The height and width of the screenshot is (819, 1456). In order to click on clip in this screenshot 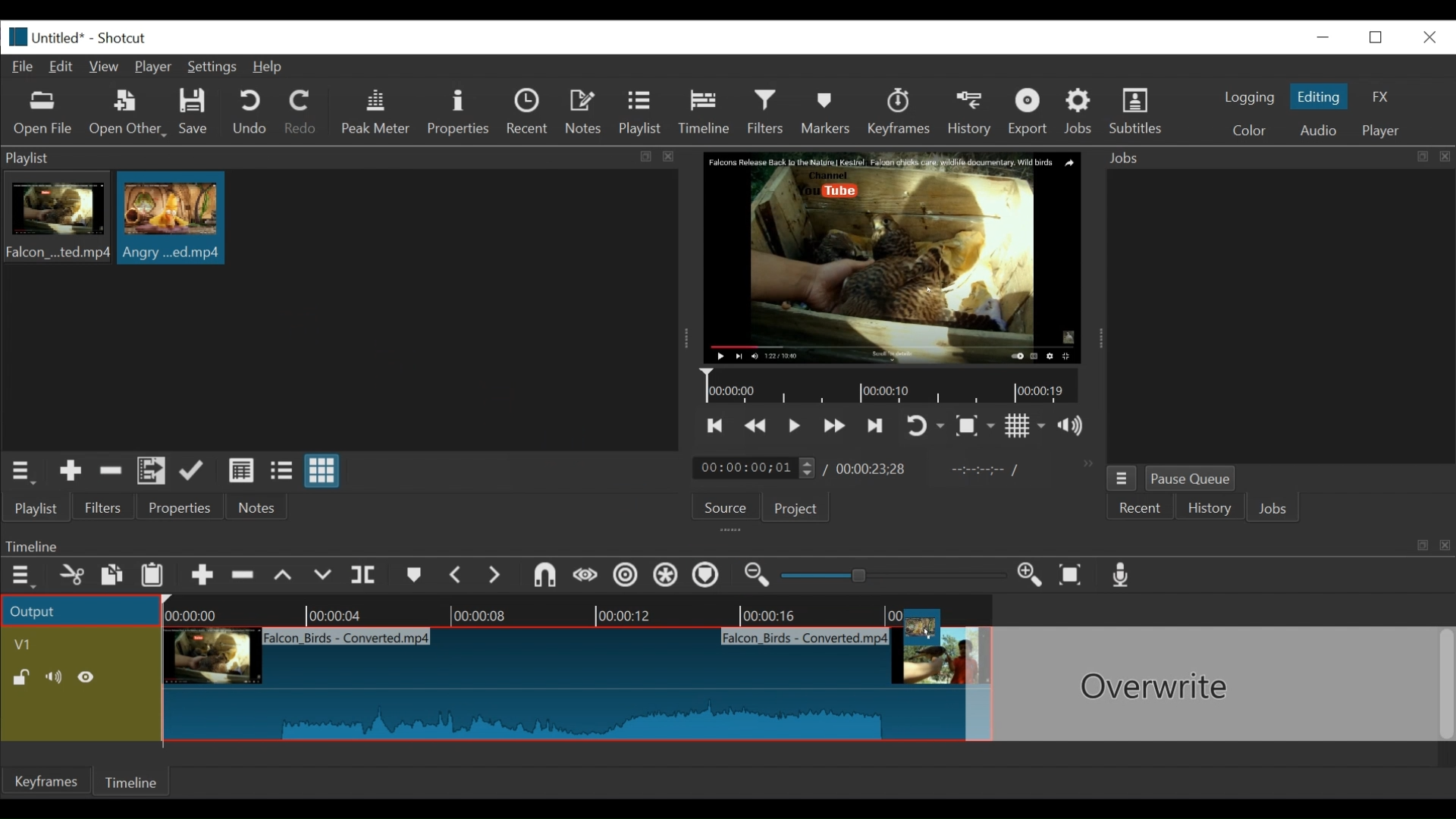, I will do `click(565, 686)`.